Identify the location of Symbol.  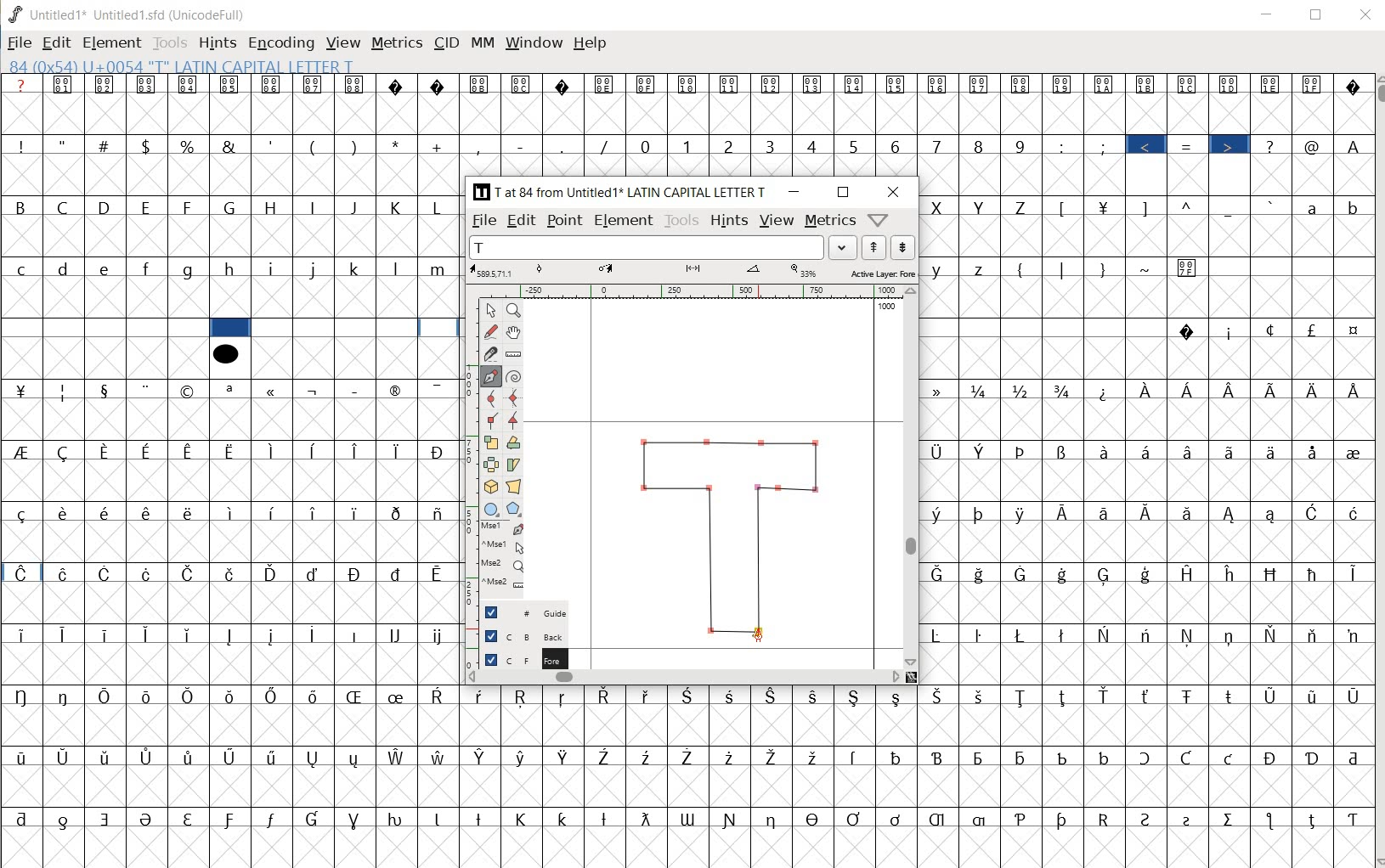
(233, 697).